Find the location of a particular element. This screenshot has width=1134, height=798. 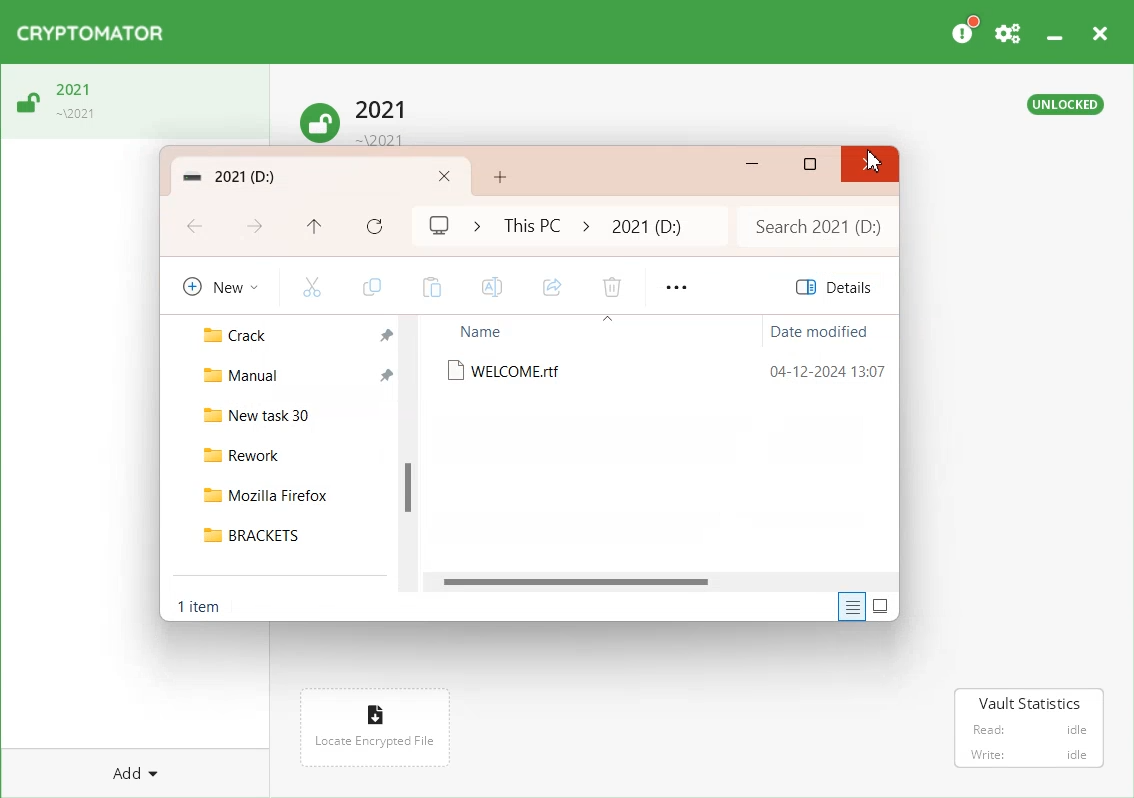

Close is located at coordinates (874, 161).